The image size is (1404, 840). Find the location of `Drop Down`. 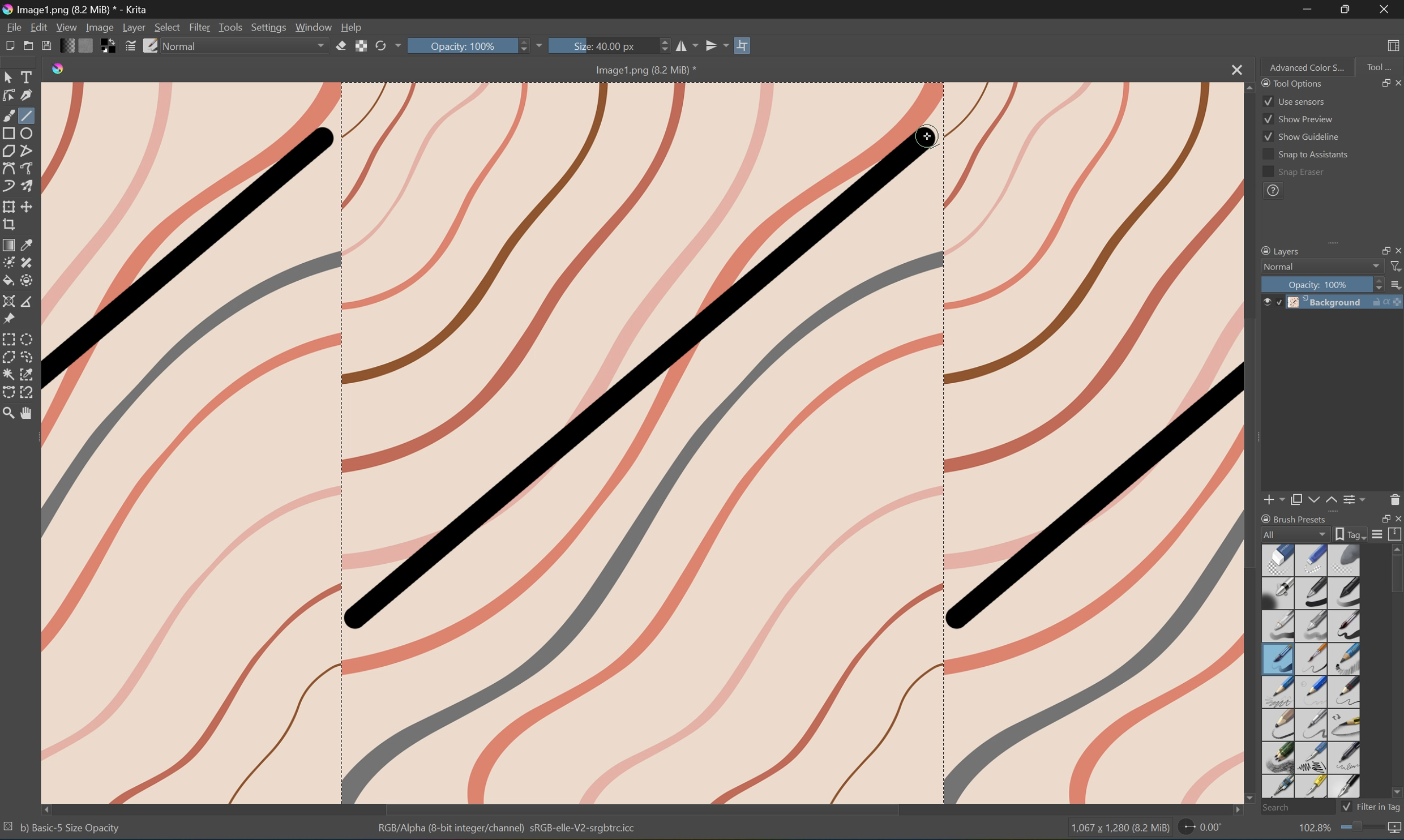

Drop Down is located at coordinates (1375, 267).